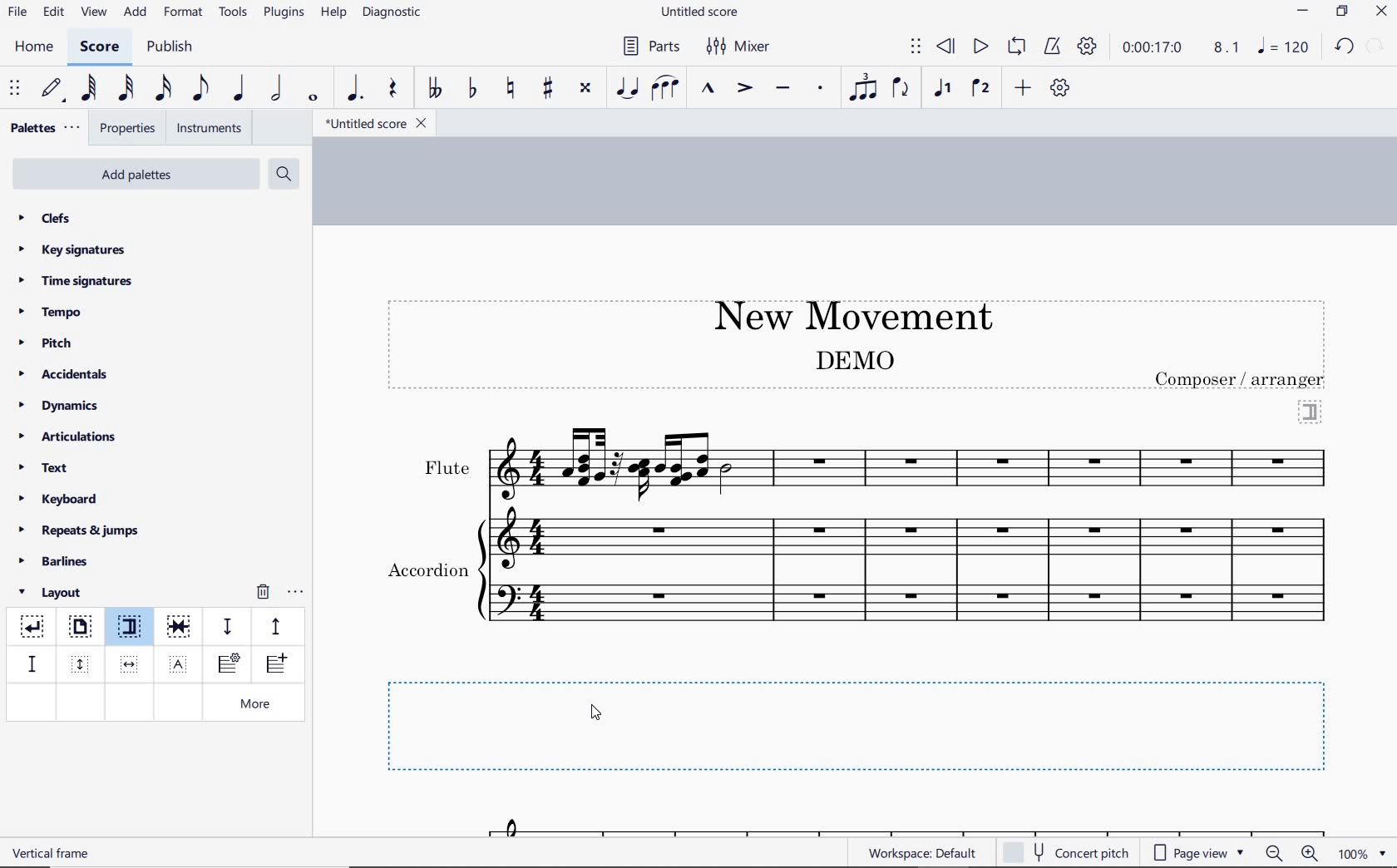  I want to click on search palettes, so click(282, 175).